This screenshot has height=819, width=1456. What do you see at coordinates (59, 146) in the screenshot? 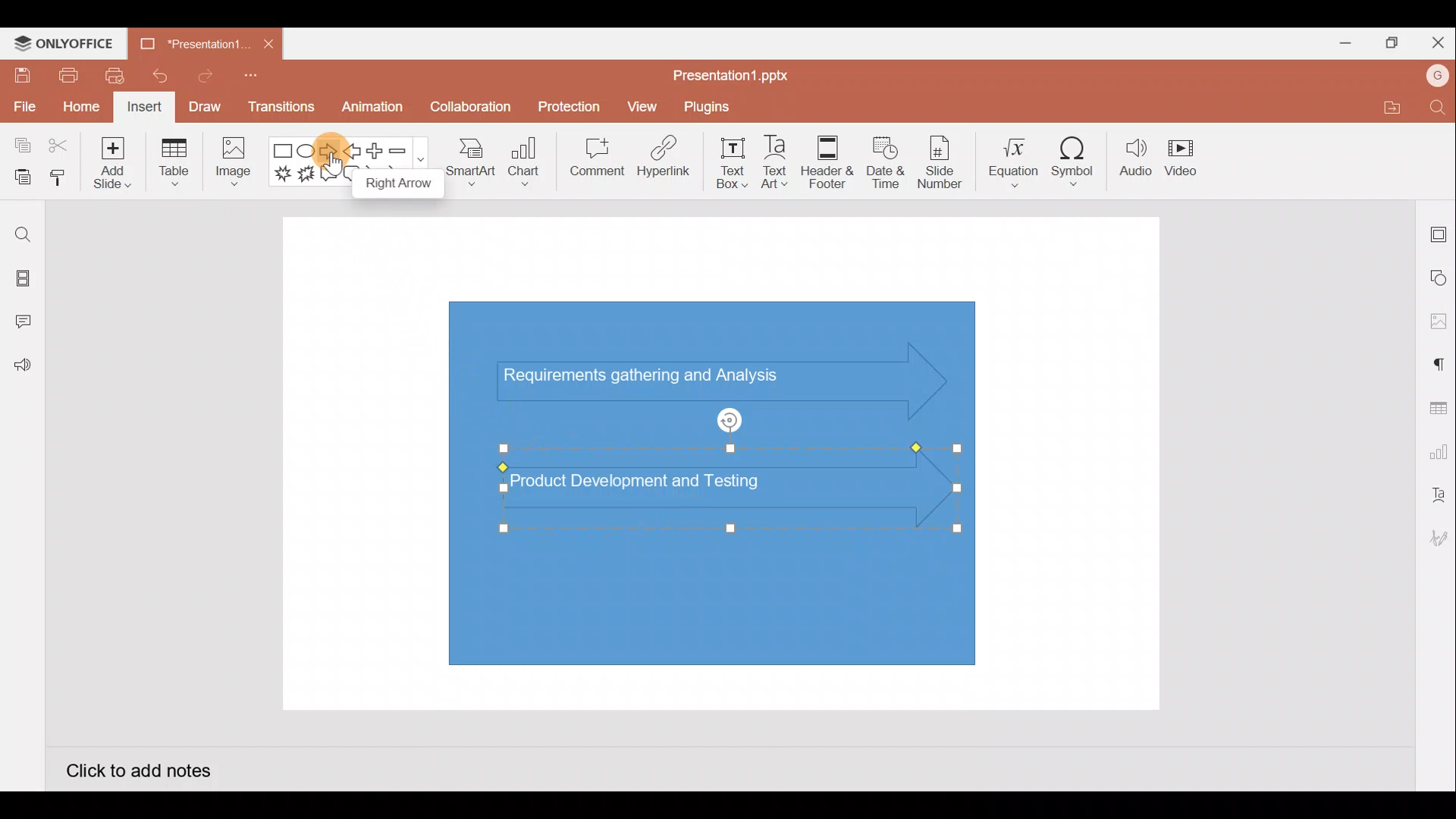
I see `Cut` at bounding box center [59, 146].